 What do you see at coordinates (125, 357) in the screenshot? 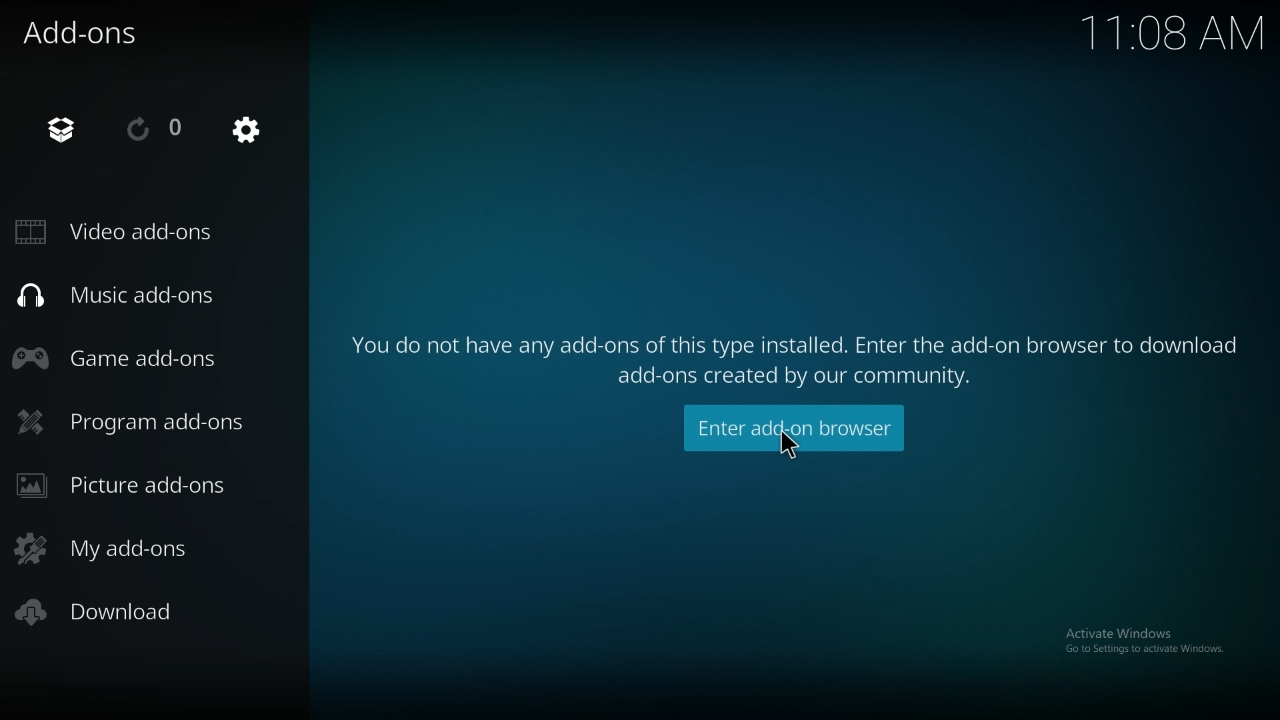
I see `games add ons` at bounding box center [125, 357].